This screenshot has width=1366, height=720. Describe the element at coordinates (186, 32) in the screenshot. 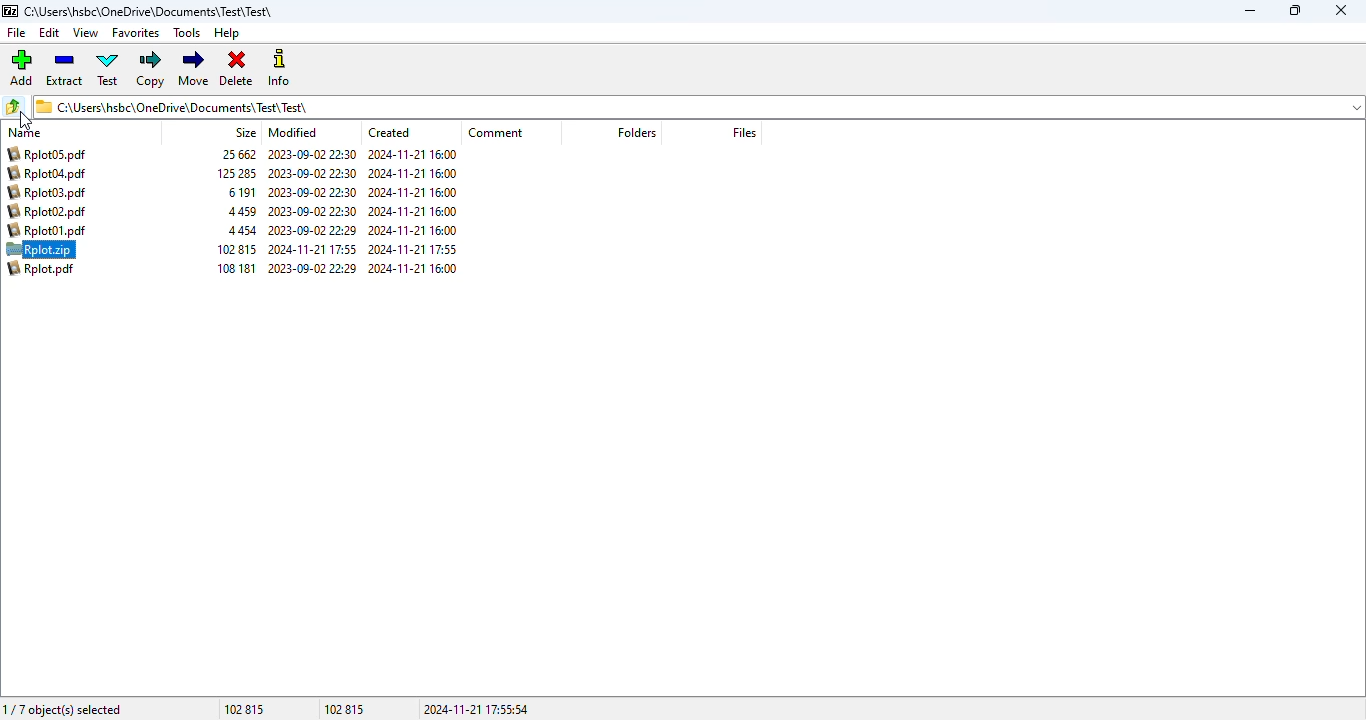

I see `tools` at that location.